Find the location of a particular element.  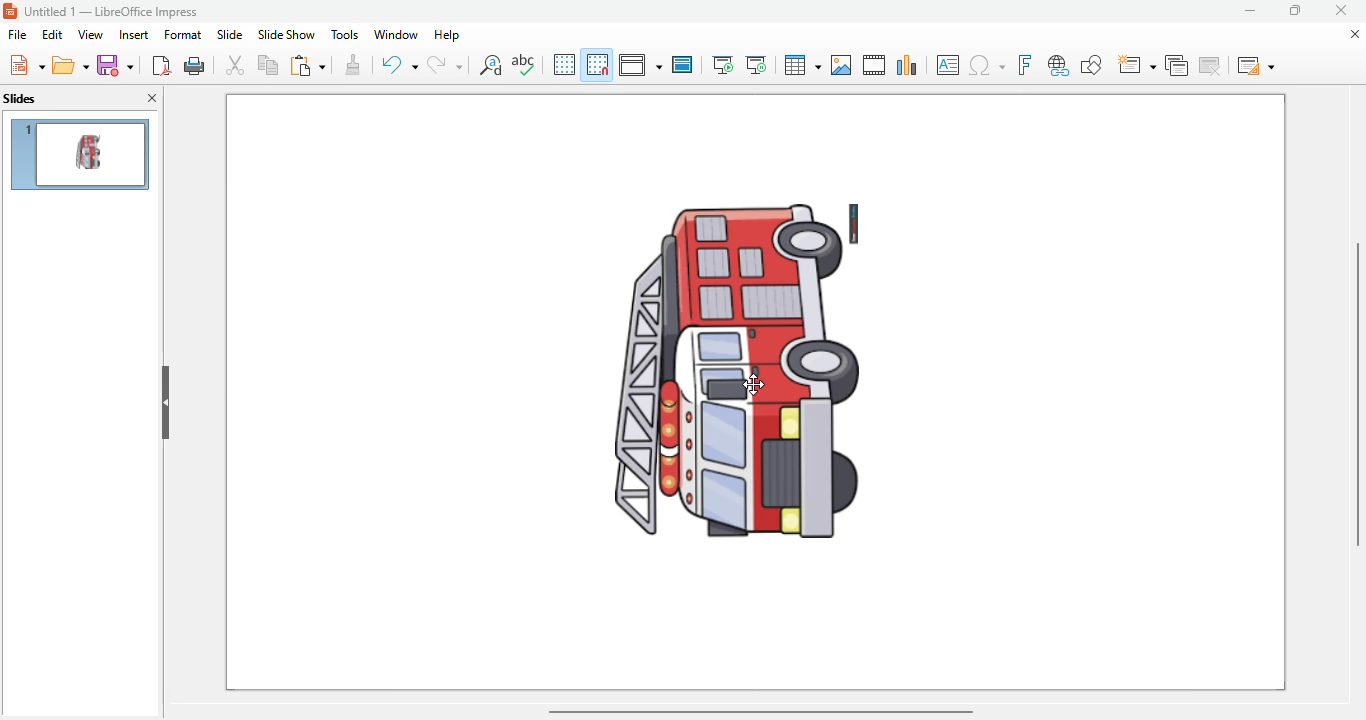

open is located at coordinates (71, 66).